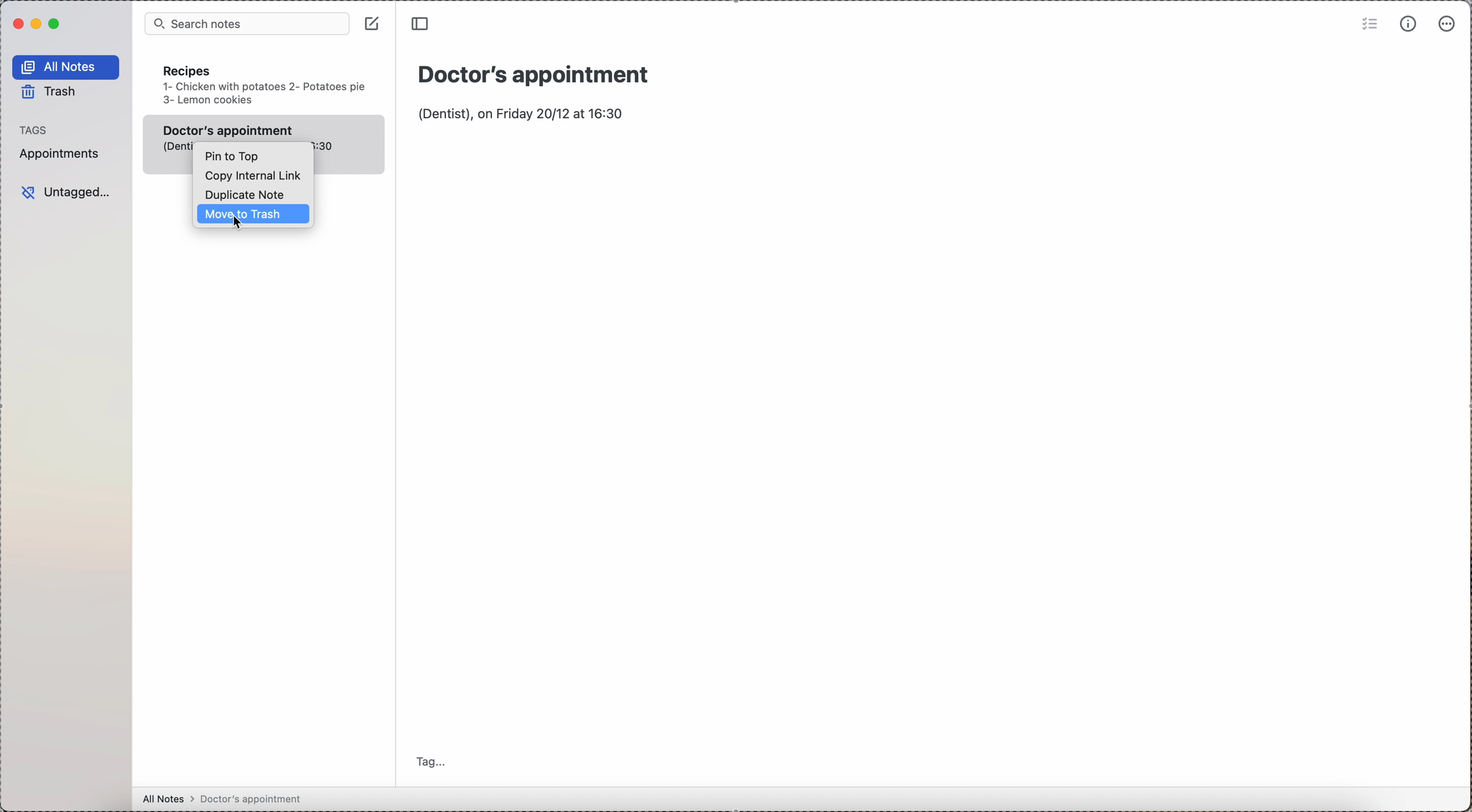 Image resolution: width=1472 pixels, height=812 pixels. Describe the element at coordinates (263, 87) in the screenshot. I see `1- Chicken with potatoes 2- Potatoes pie` at that location.